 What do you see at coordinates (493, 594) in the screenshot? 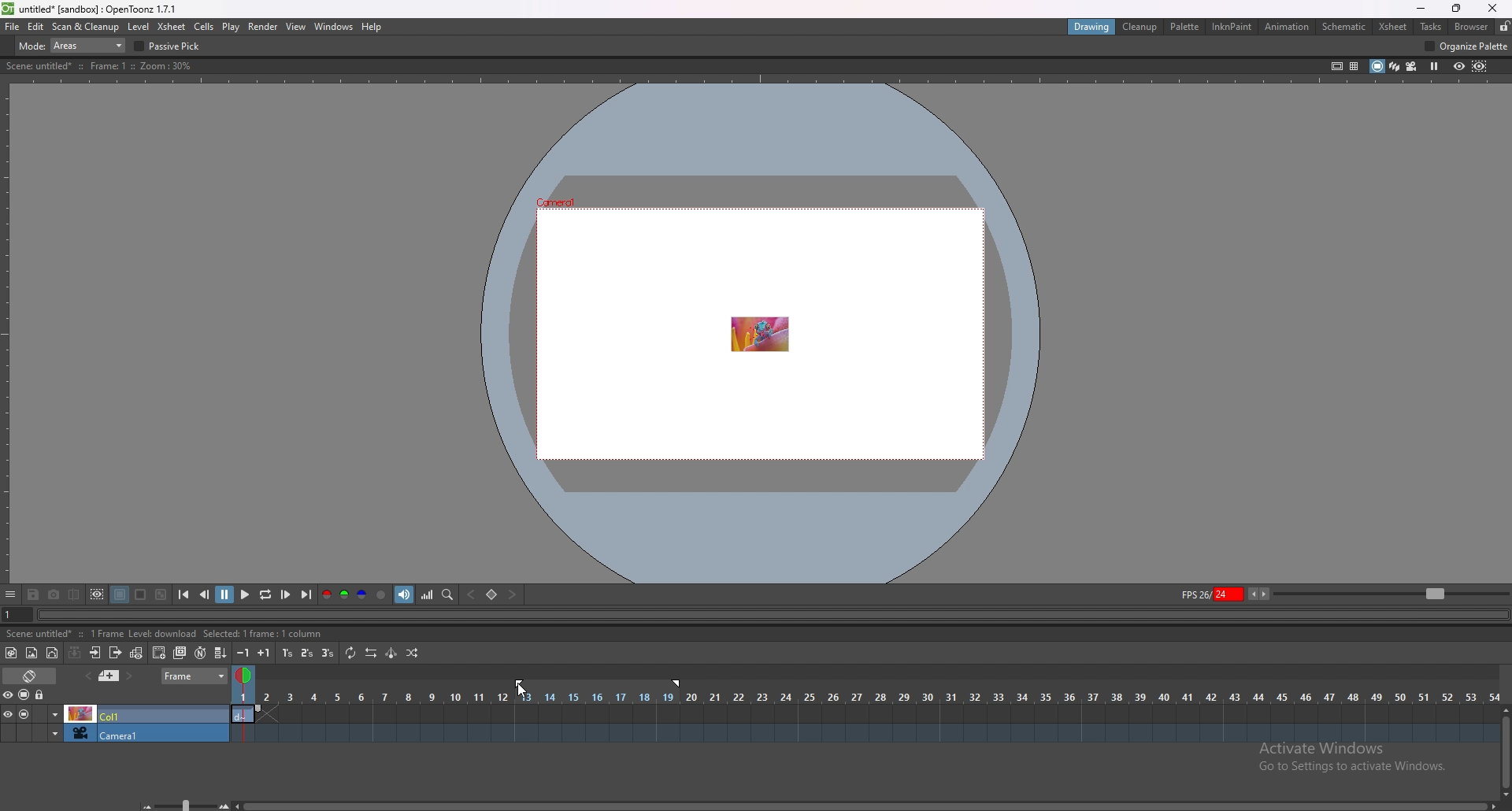
I see `set key` at bounding box center [493, 594].